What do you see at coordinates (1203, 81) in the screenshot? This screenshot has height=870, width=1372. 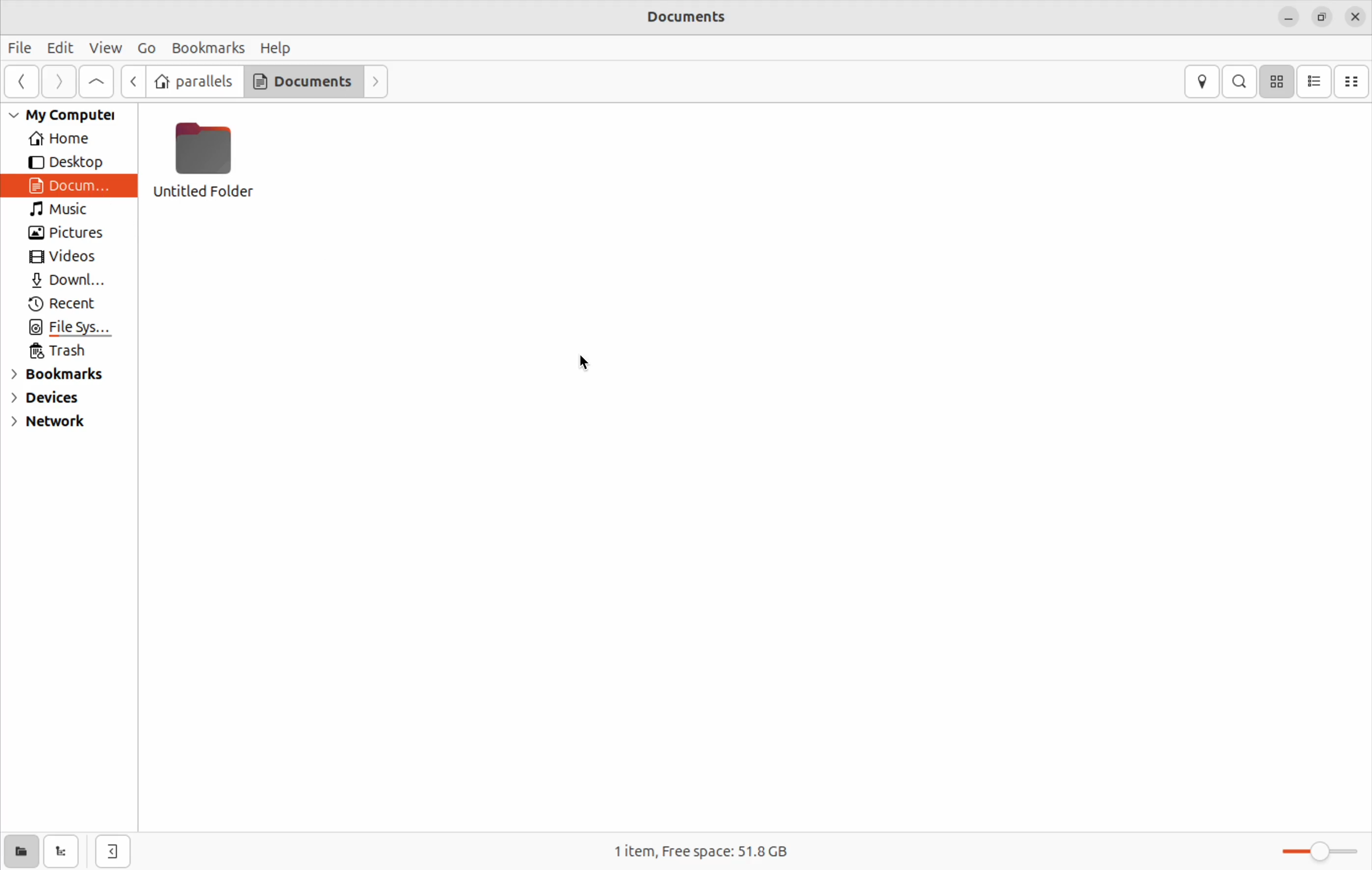 I see `location` at bounding box center [1203, 81].